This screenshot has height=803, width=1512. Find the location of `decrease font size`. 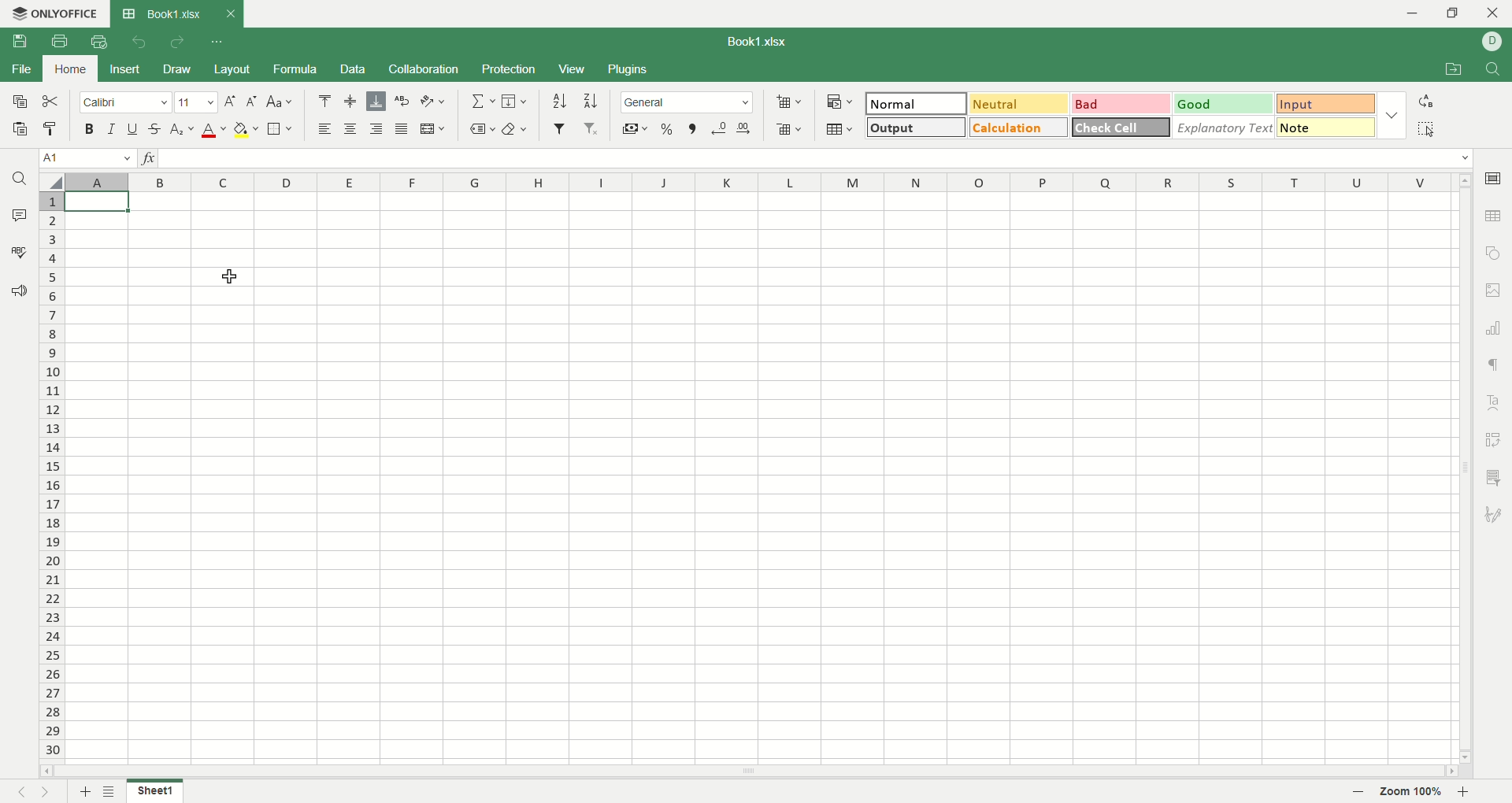

decrease font size is located at coordinates (252, 101).